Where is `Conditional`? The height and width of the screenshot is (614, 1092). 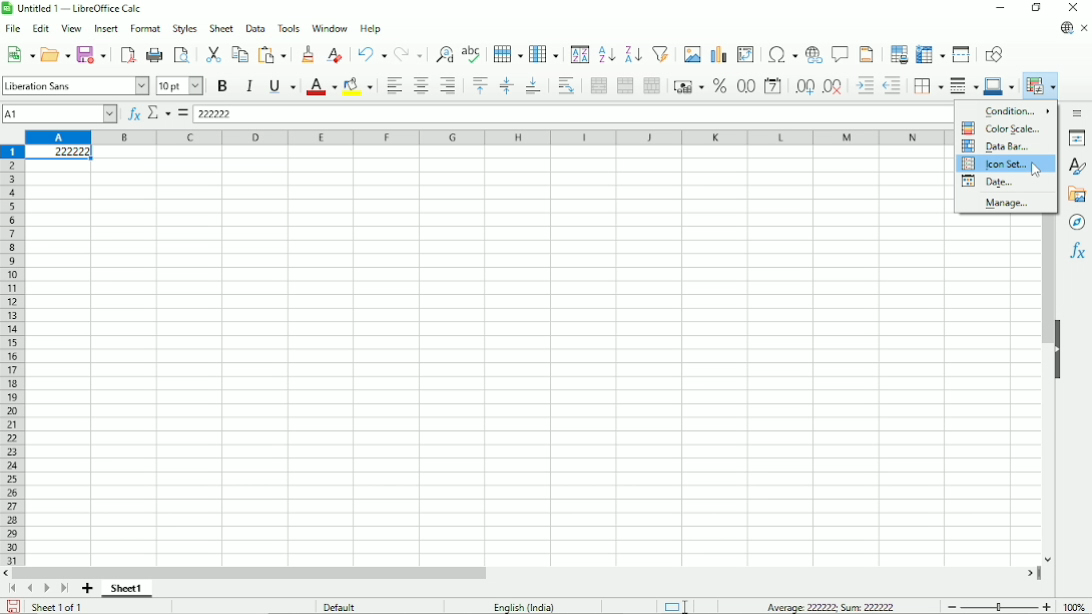 Conditional is located at coordinates (1039, 86).